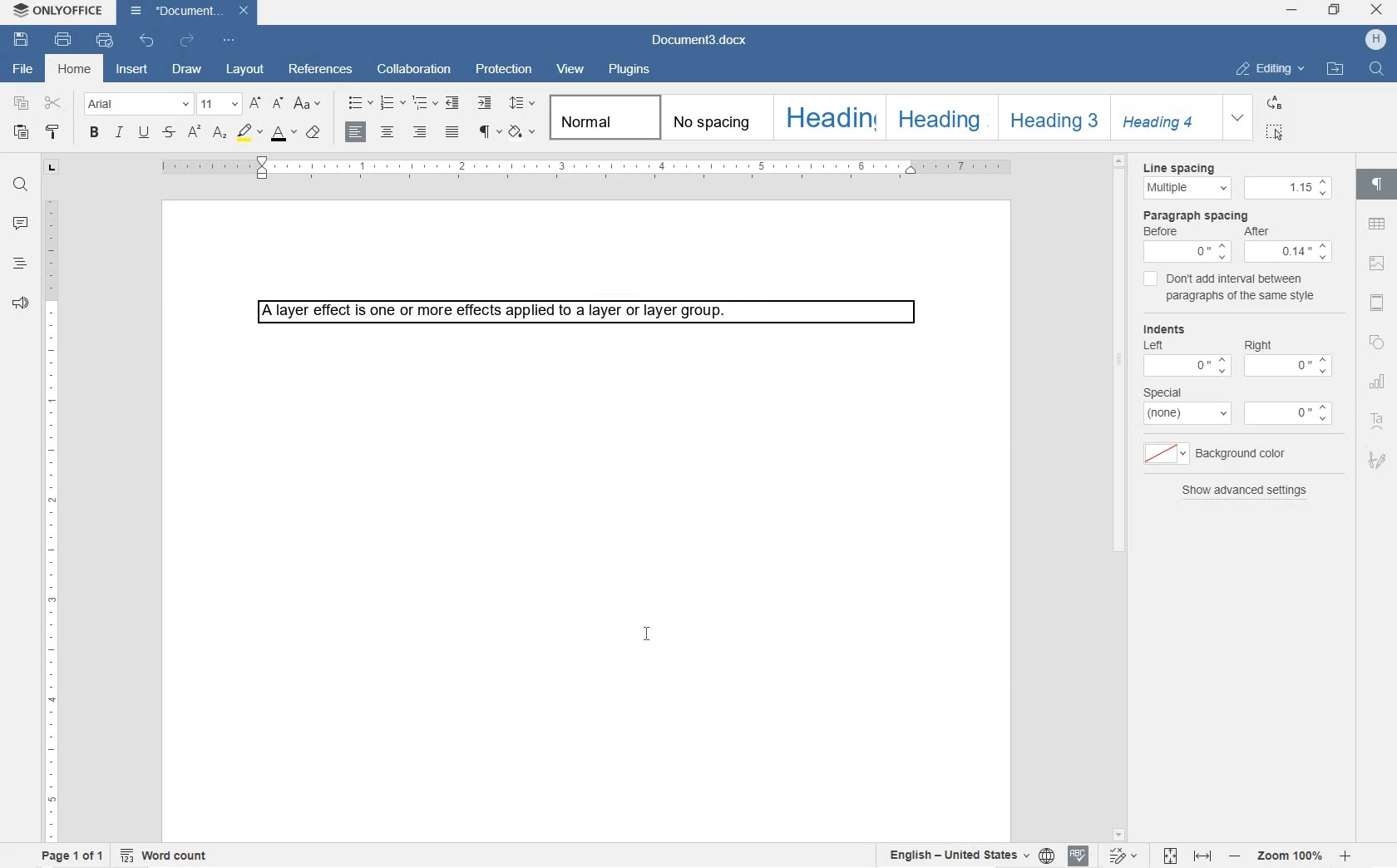 This screenshot has height=868, width=1397. Describe the element at coordinates (490, 132) in the screenshot. I see `NONPRINTING CHARACTERS` at that location.